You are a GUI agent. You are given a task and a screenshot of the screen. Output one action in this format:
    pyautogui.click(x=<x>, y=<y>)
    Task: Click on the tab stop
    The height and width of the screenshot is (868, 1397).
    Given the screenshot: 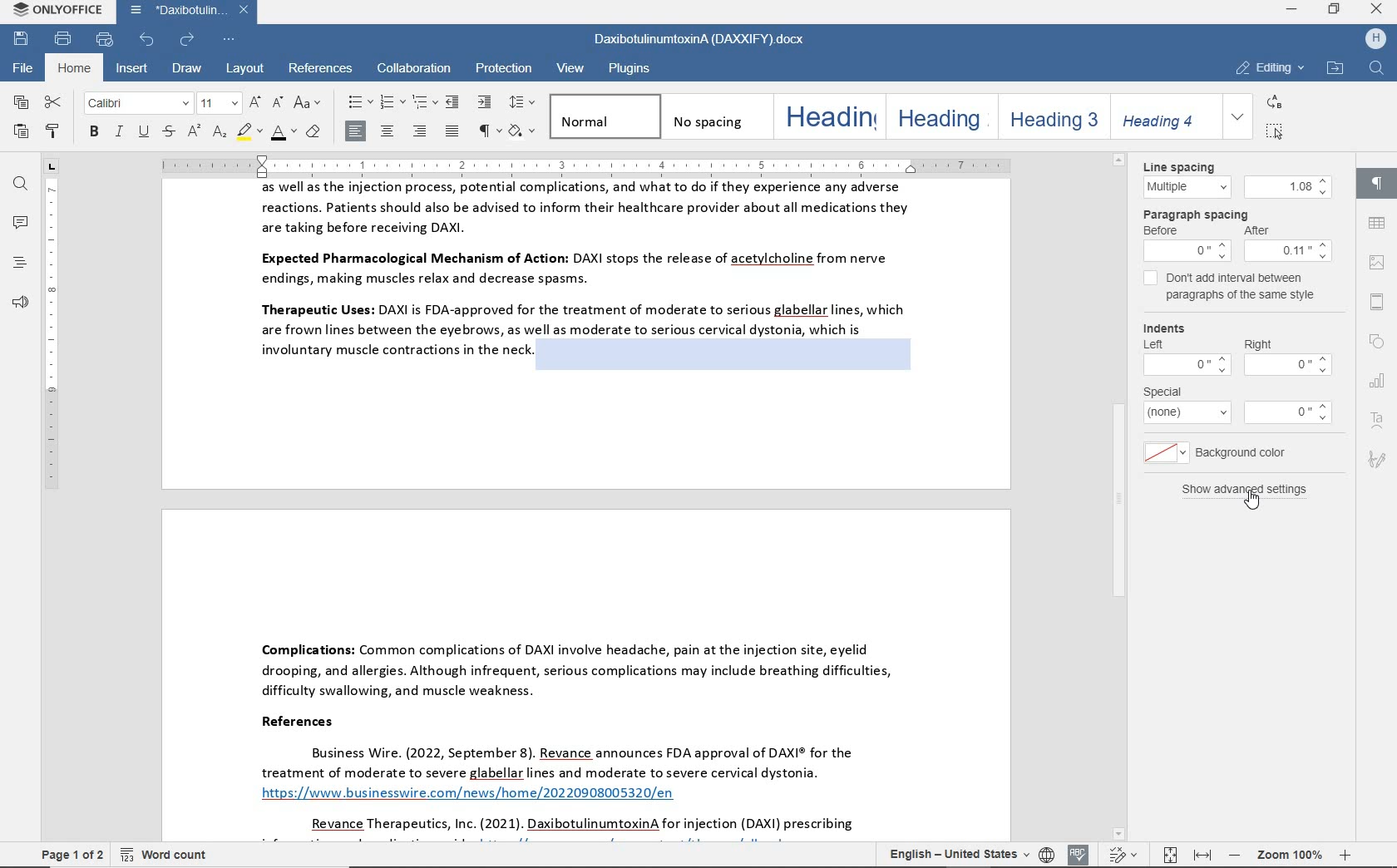 What is the action you would take?
    pyautogui.click(x=52, y=166)
    